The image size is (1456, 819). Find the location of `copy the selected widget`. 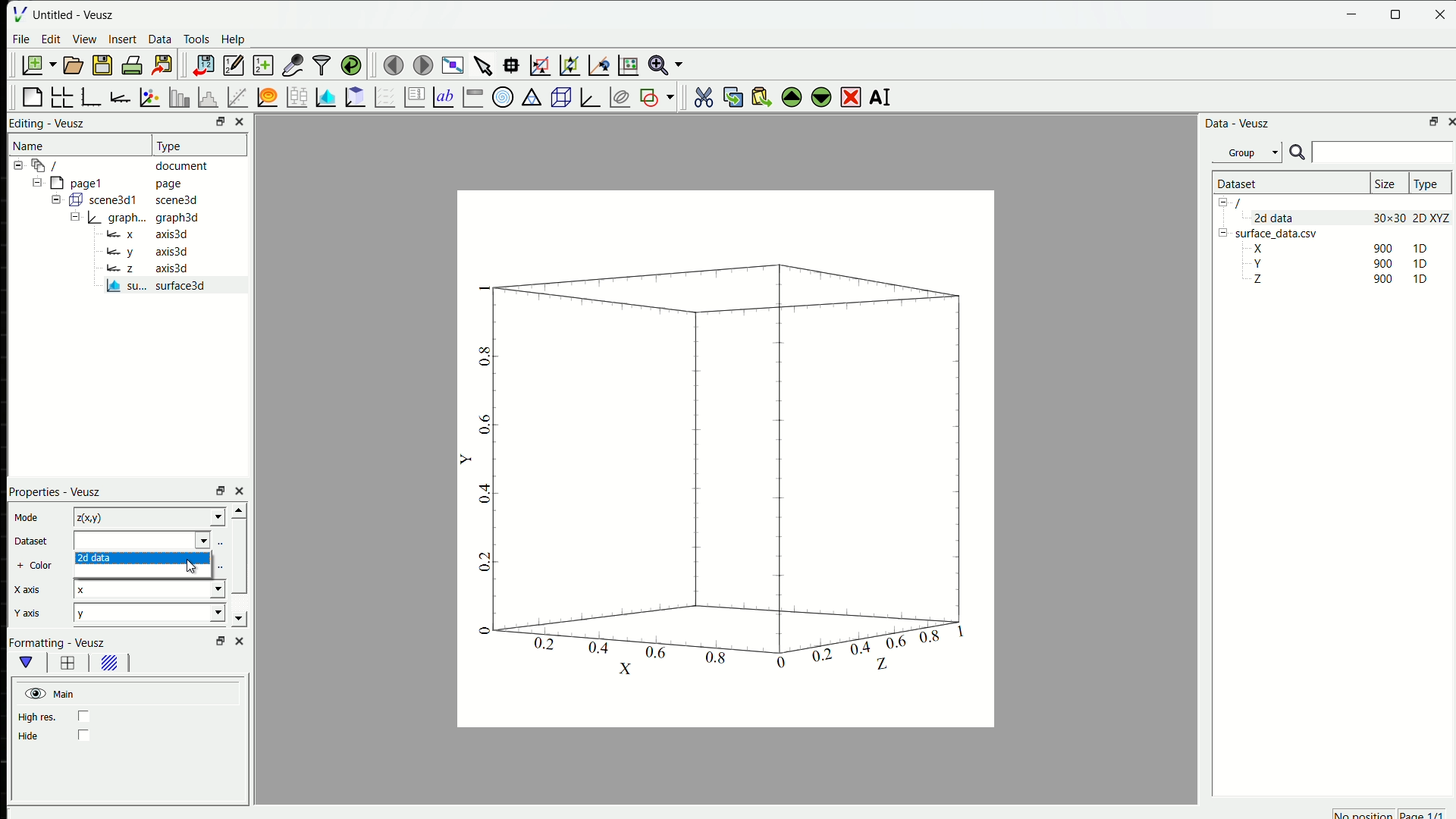

copy the selected widget is located at coordinates (734, 97).